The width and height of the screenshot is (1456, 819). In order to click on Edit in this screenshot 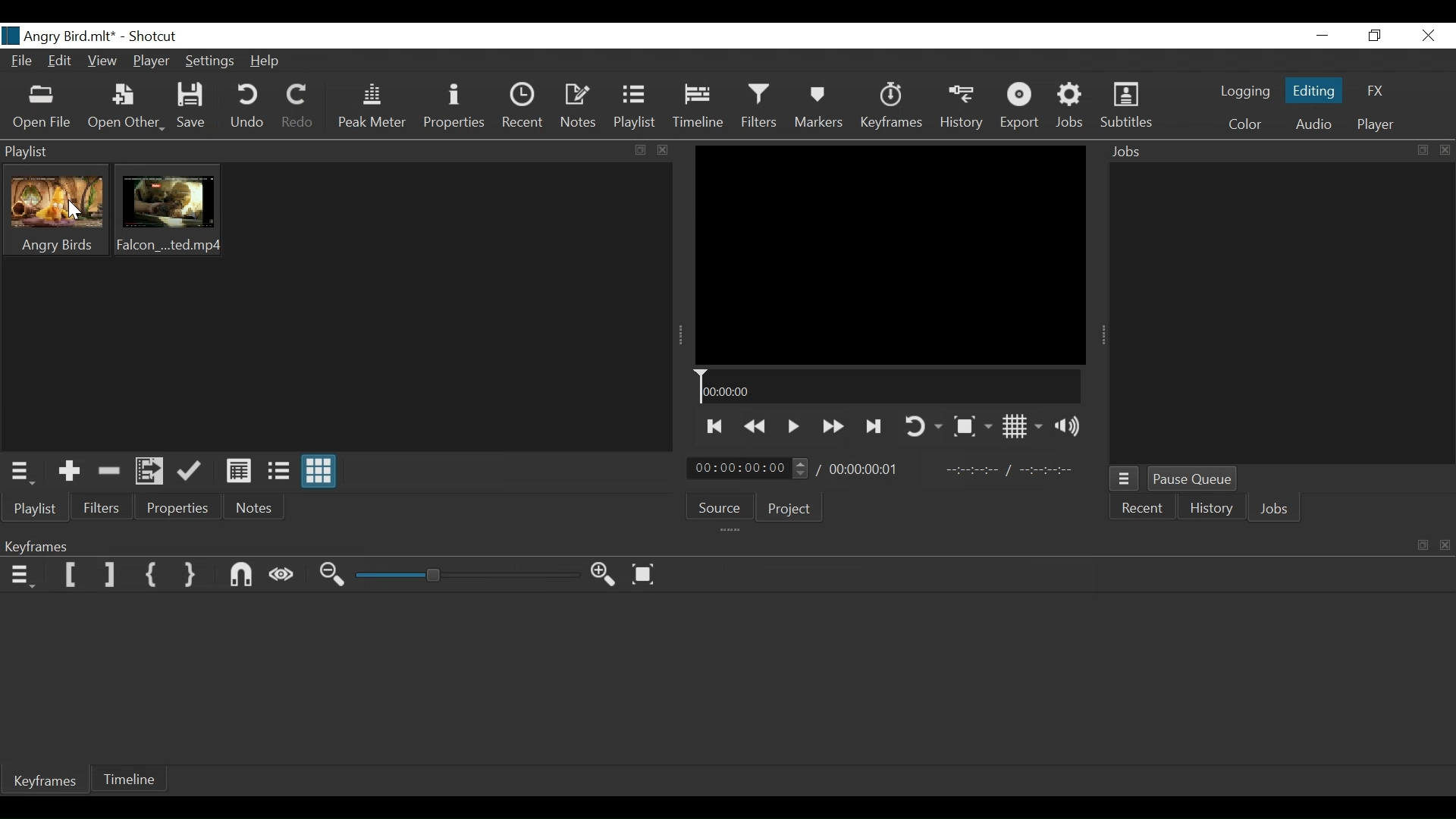, I will do `click(60, 62)`.